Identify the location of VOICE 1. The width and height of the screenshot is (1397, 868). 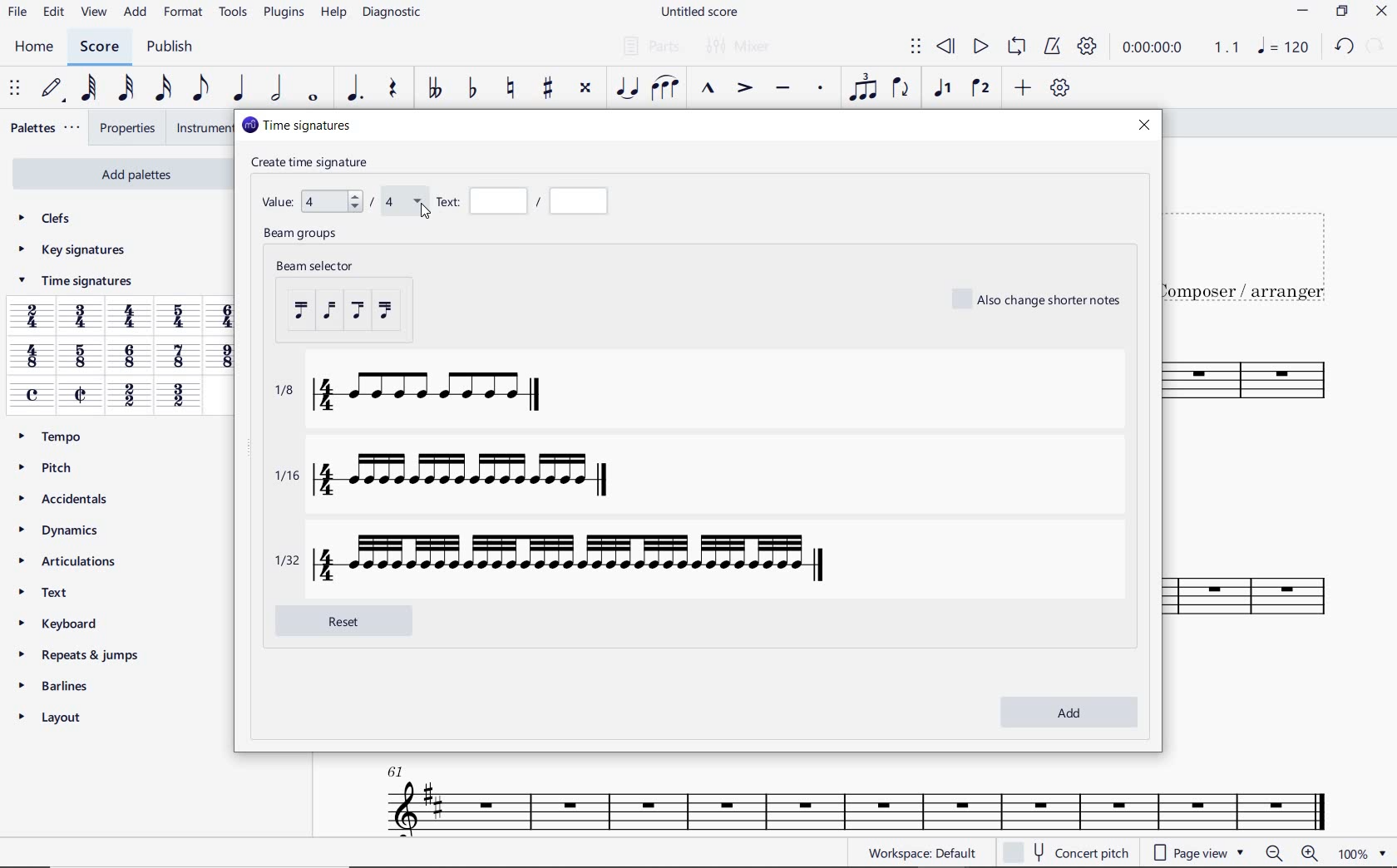
(945, 91).